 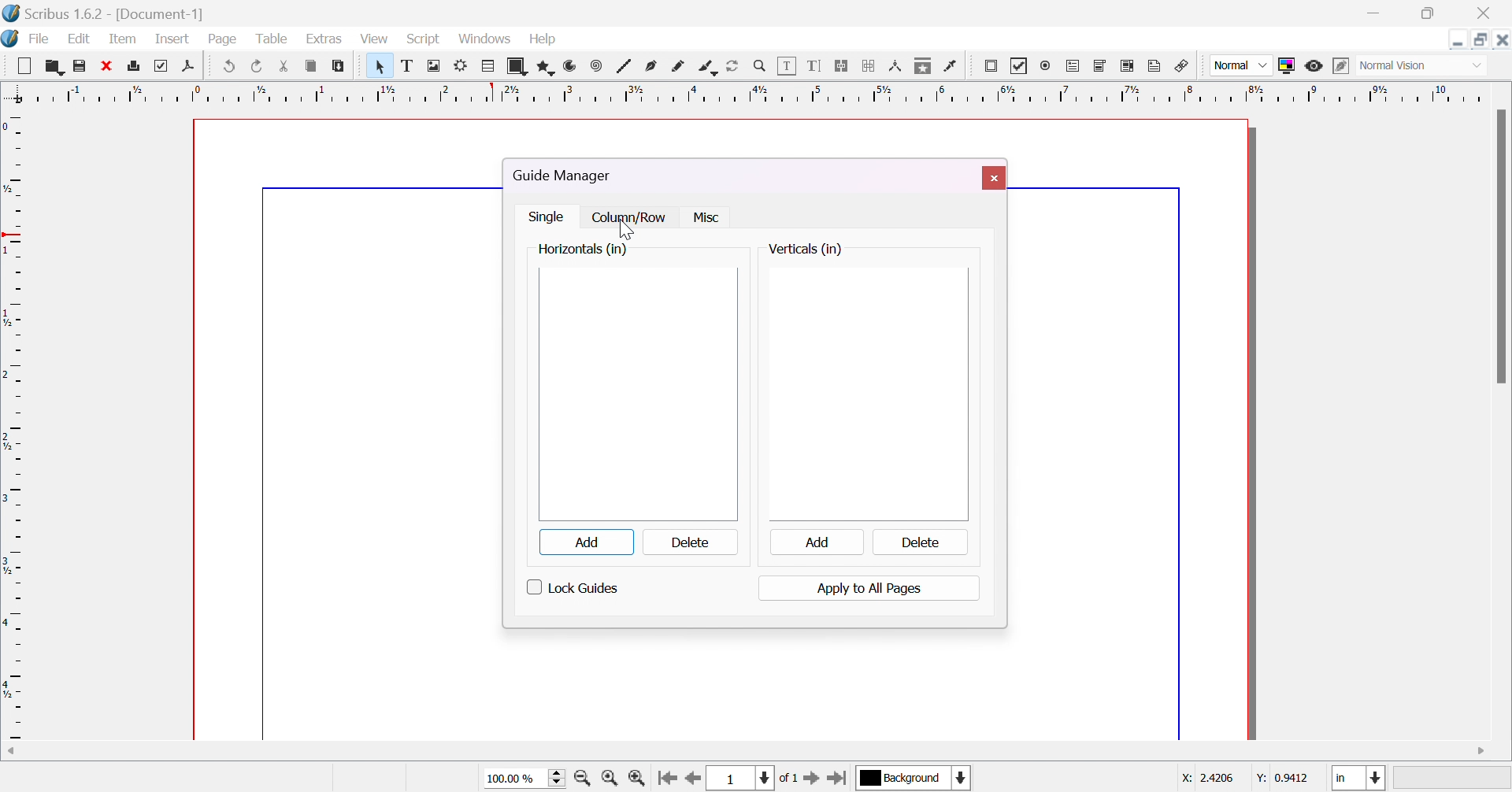 I want to click on apply to all pages, so click(x=865, y=588).